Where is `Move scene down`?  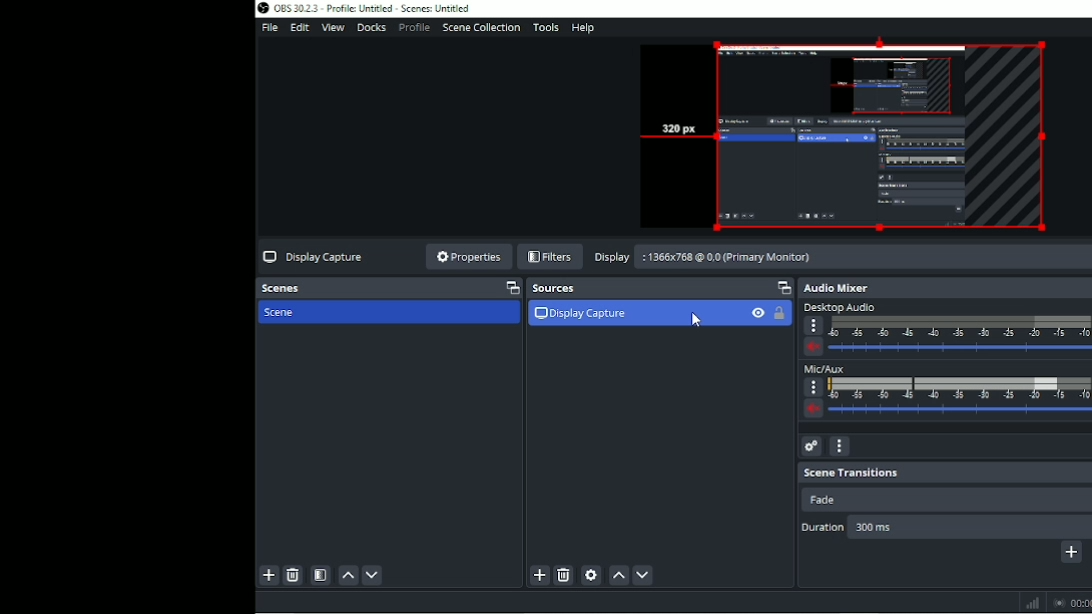 Move scene down is located at coordinates (374, 575).